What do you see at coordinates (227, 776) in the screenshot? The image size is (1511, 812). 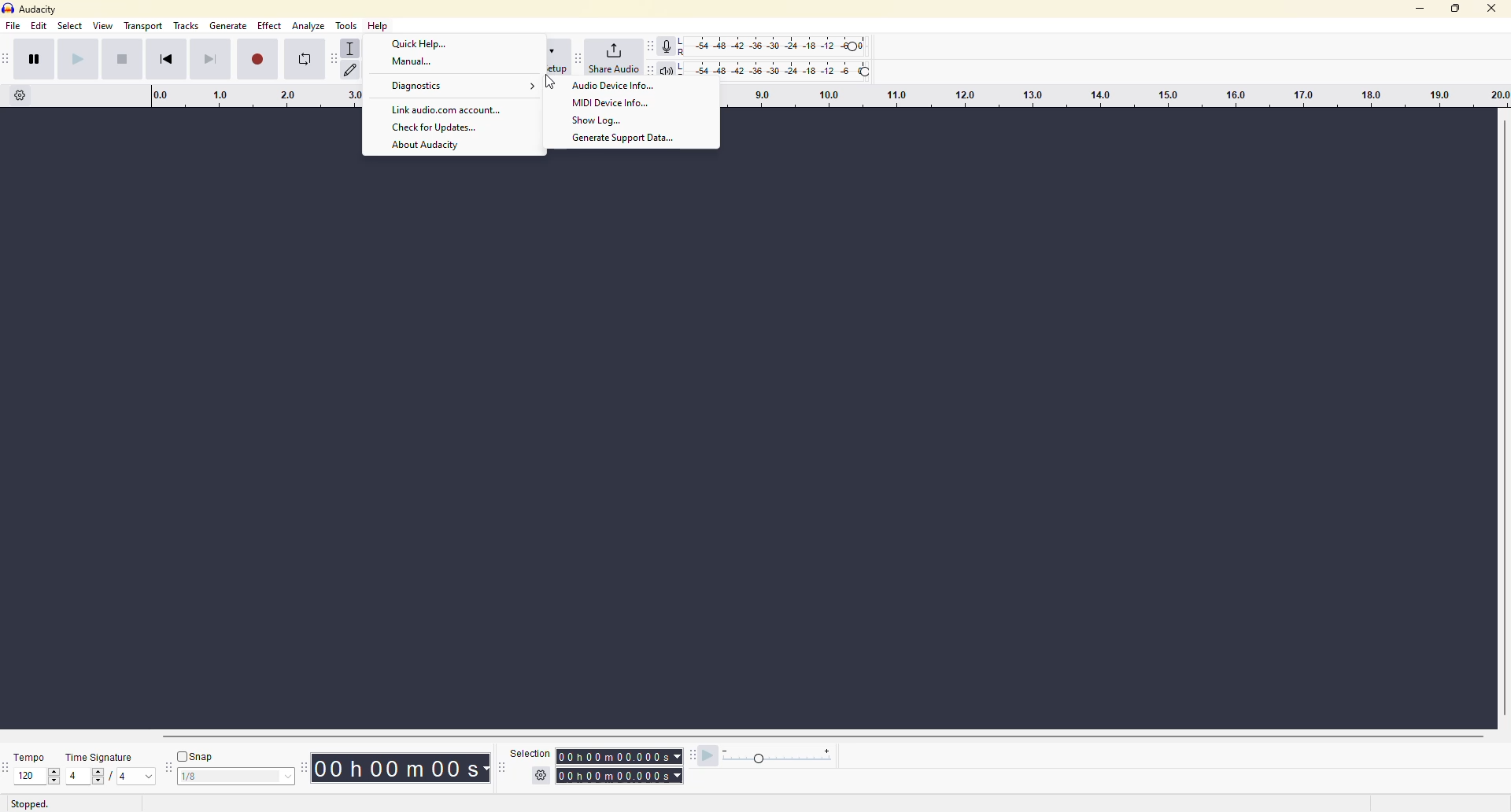 I see `value` at bounding box center [227, 776].